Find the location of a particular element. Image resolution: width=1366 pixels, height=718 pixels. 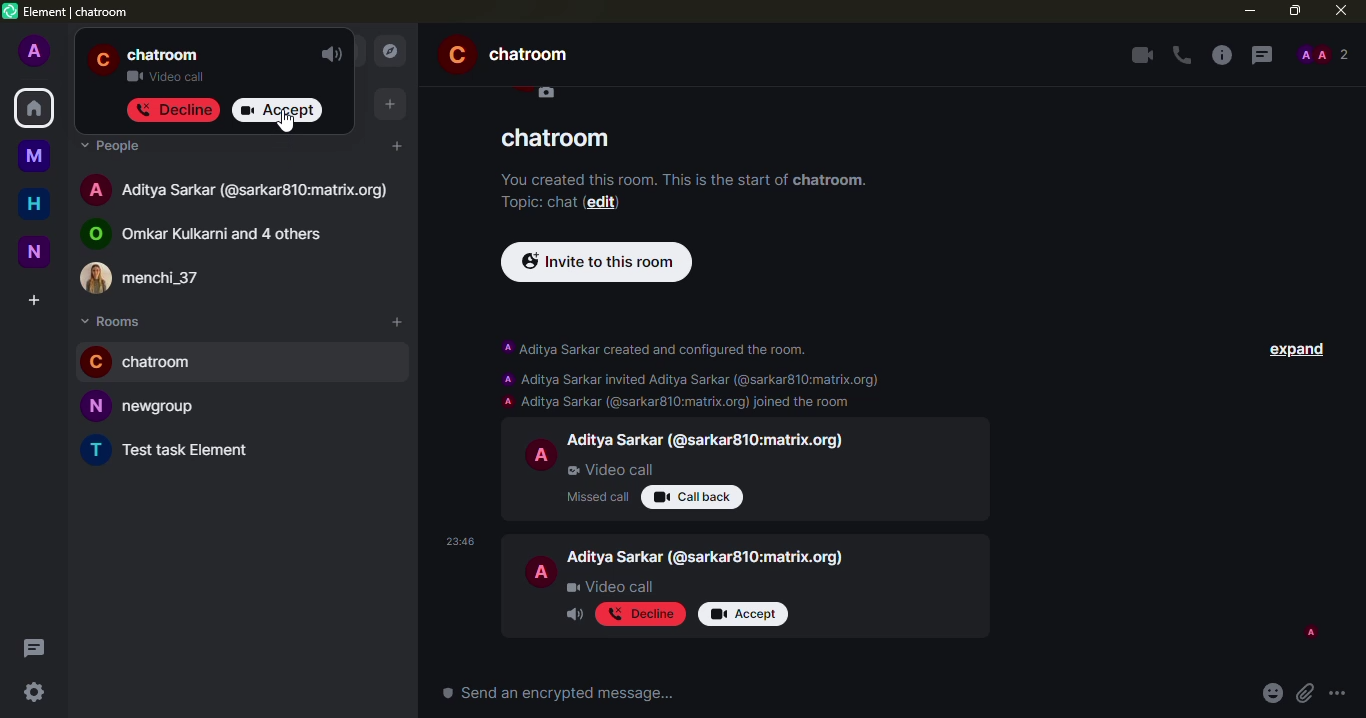

23:46 is located at coordinates (460, 542).